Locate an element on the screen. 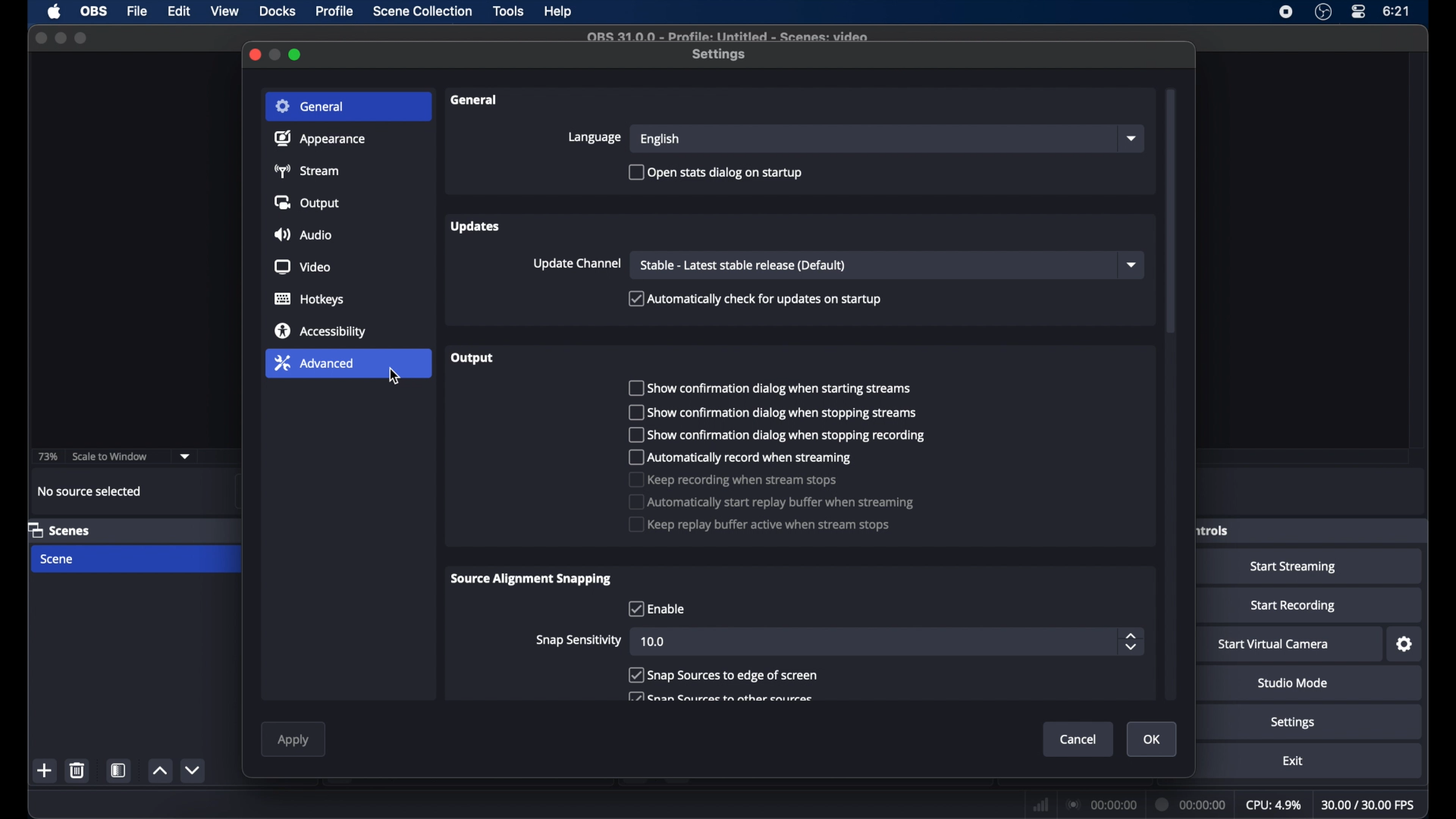 The height and width of the screenshot is (819, 1456). Automatically start replay buffer when streaming is located at coordinates (777, 502).